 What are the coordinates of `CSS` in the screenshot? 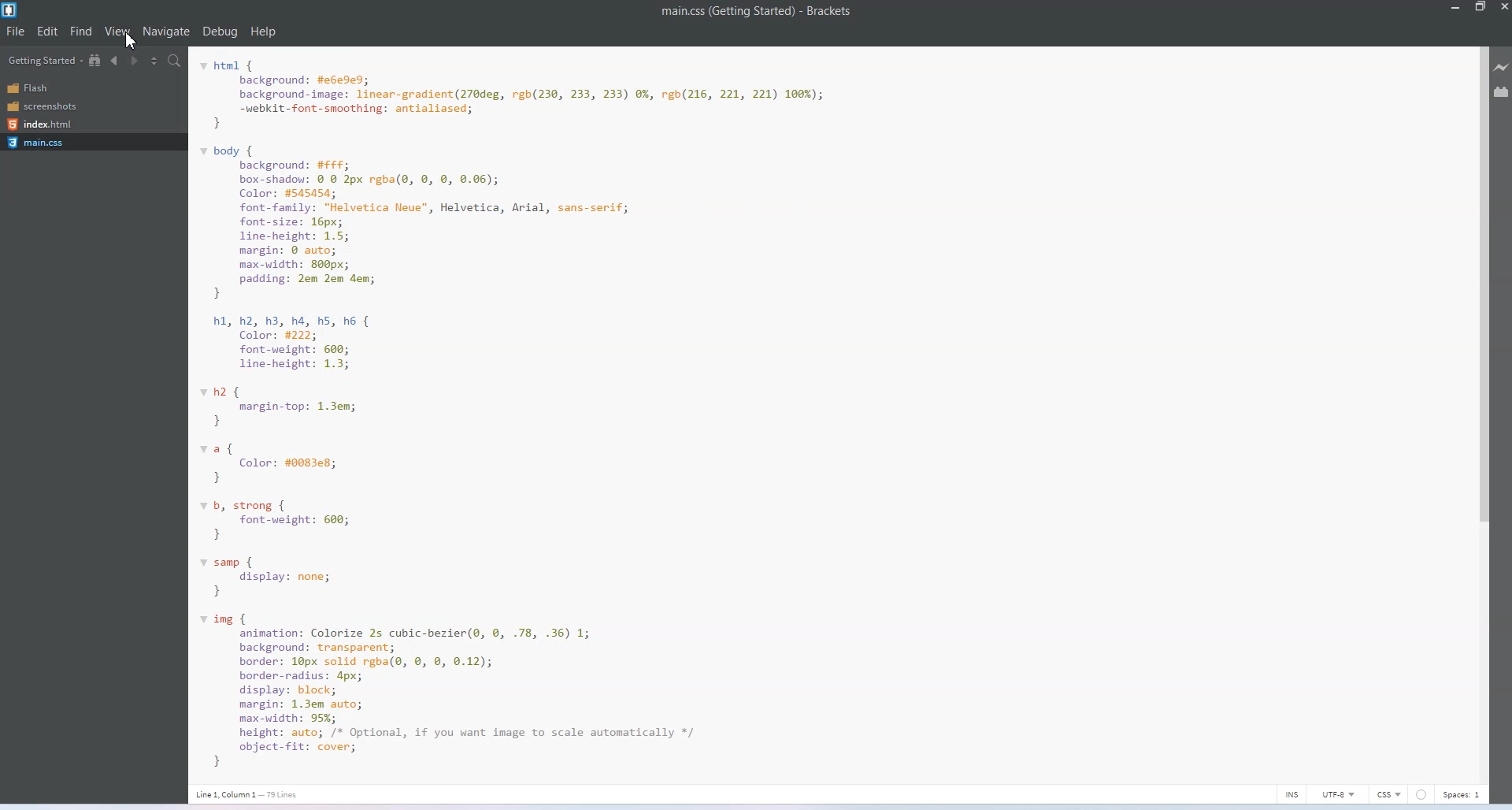 It's located at (1389, 793).